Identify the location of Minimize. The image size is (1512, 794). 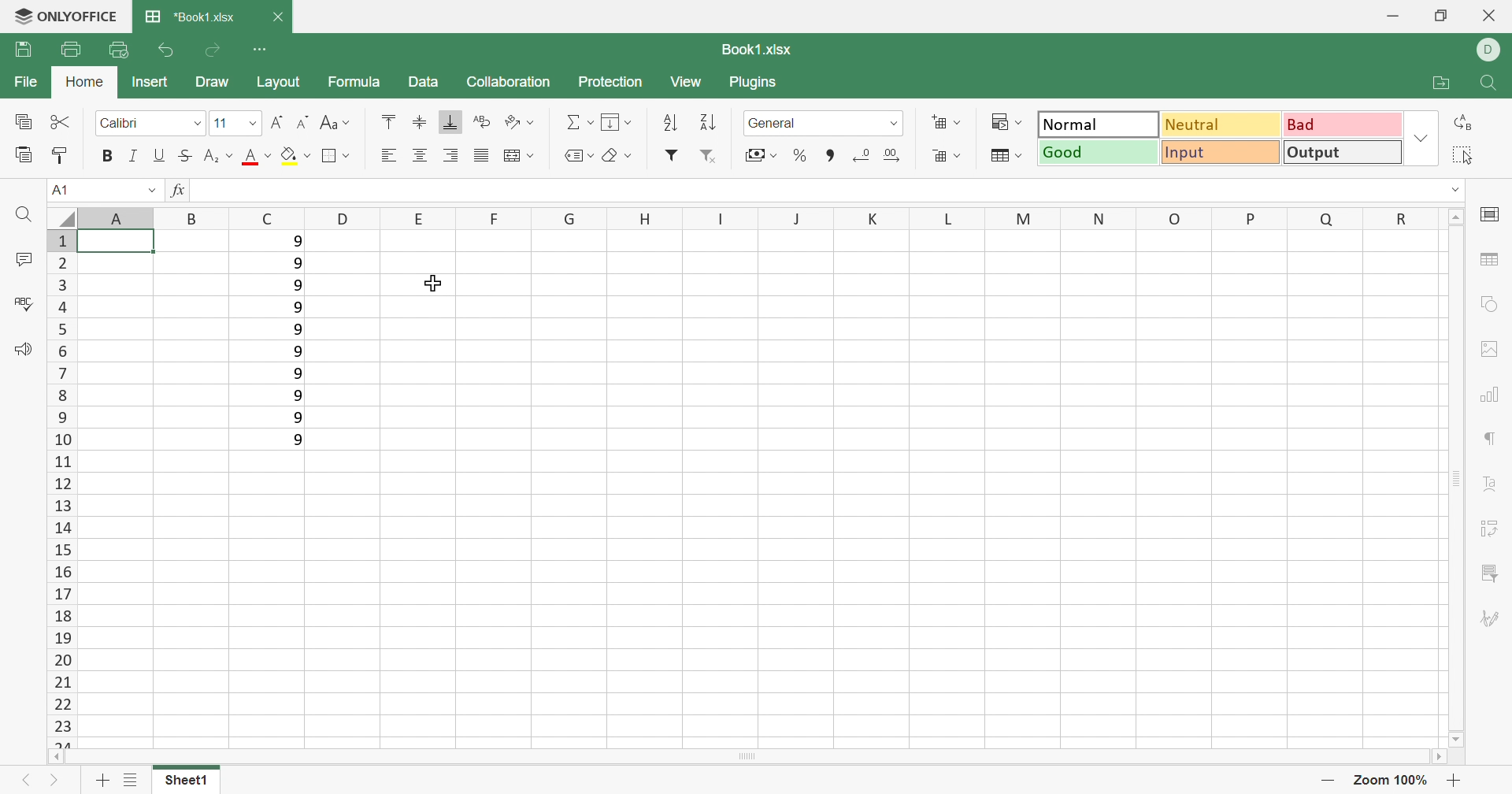
(1387, 13).